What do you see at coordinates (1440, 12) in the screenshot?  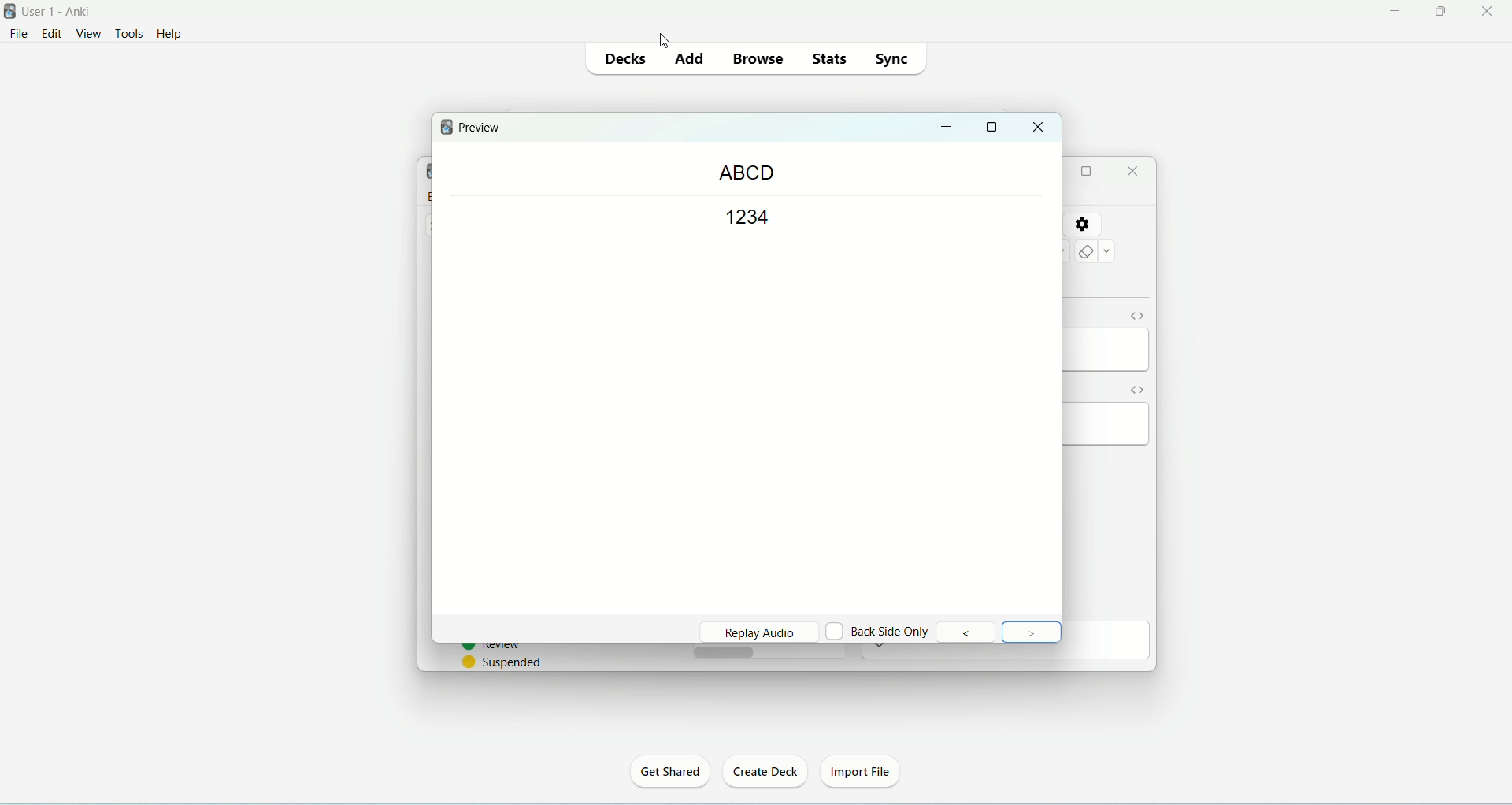 I see `maximize` at bounding box center [1440, 12].